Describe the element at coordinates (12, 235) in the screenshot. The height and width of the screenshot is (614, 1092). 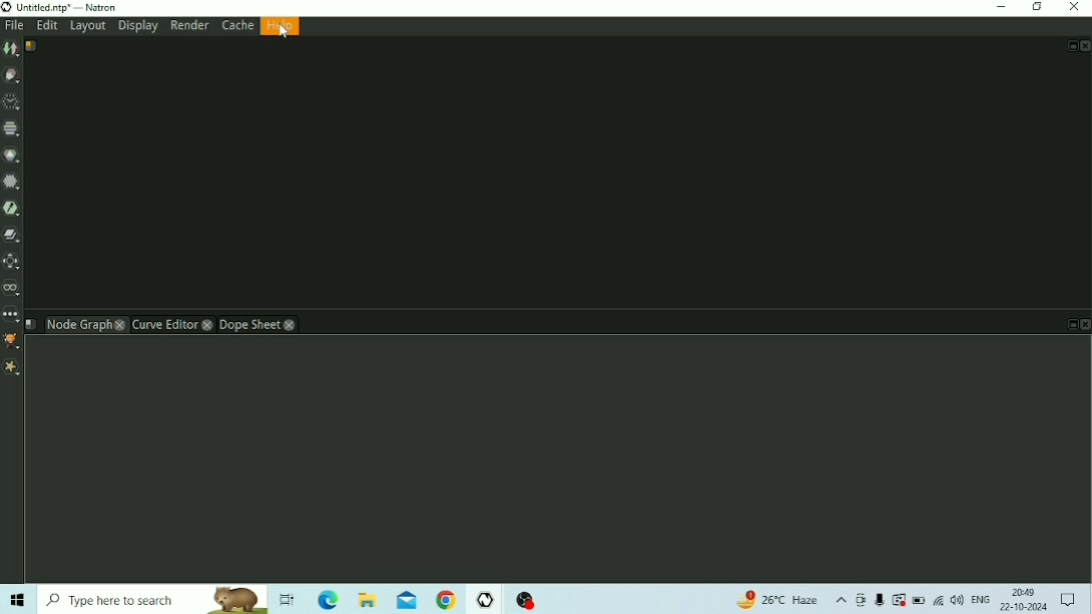
I see `Merge` at that location.